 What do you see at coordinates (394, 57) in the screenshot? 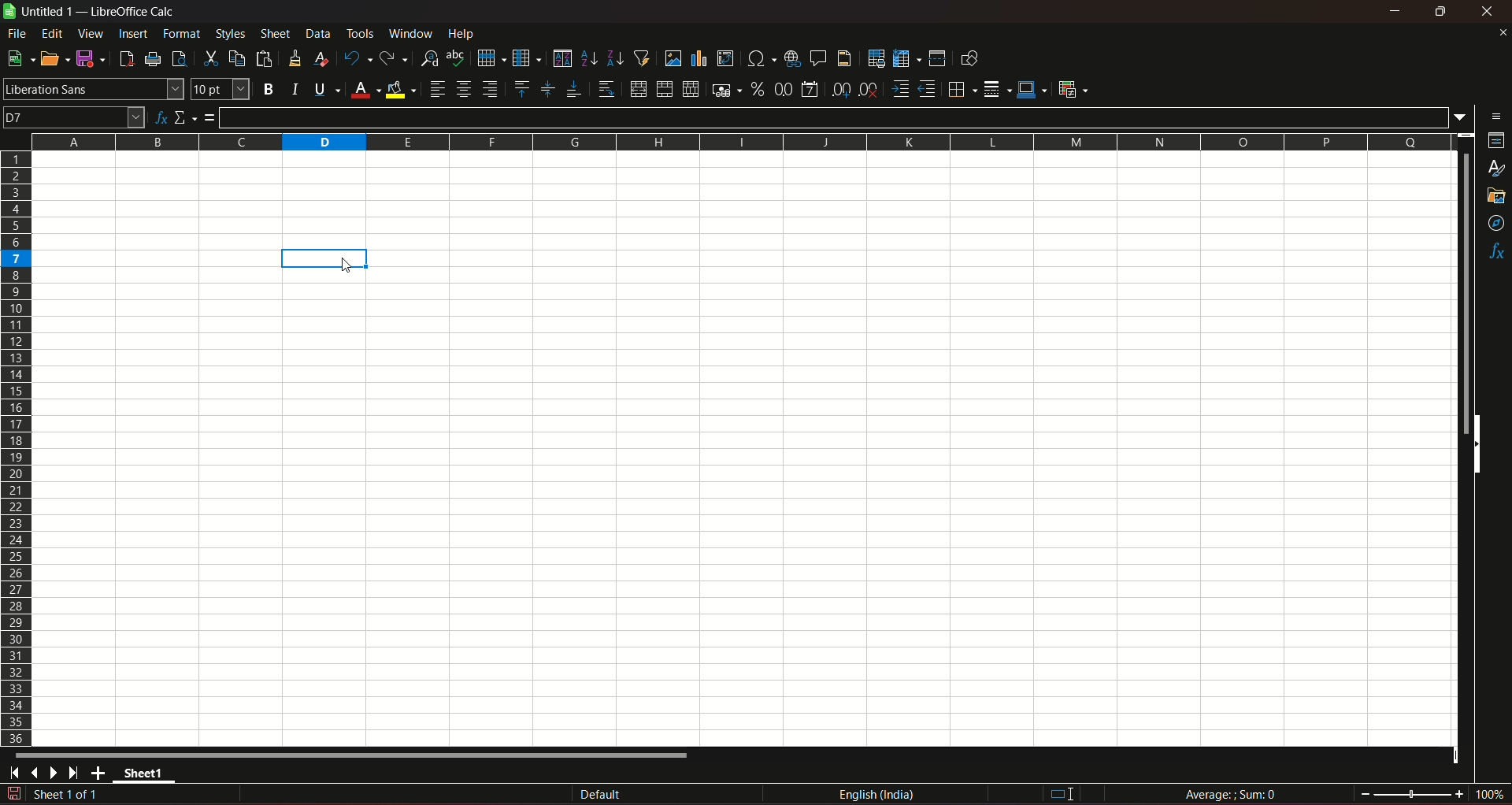
I see `redo` at bounding box center [394, 57].